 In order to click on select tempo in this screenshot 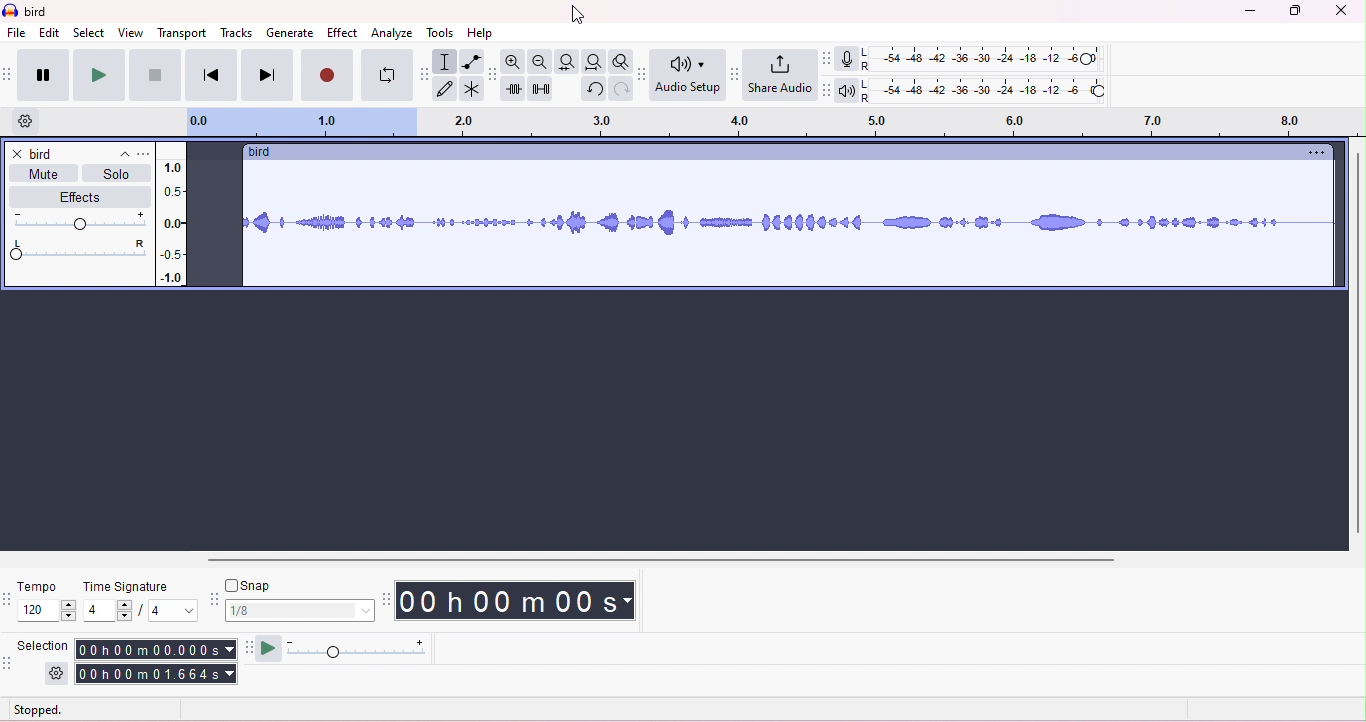, I will do `click(50, 613)`.